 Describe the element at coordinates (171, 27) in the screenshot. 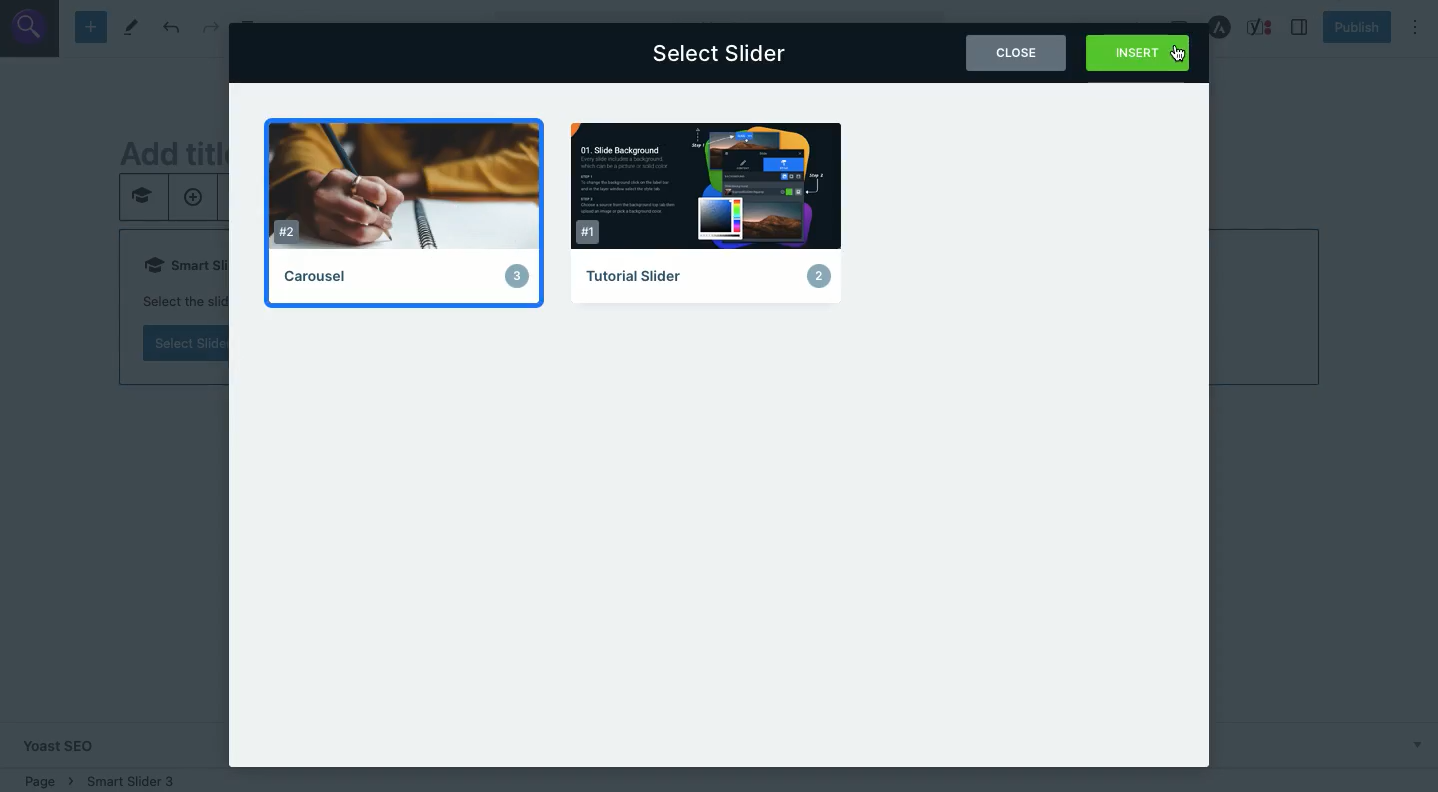

I see `Undo` at that location.